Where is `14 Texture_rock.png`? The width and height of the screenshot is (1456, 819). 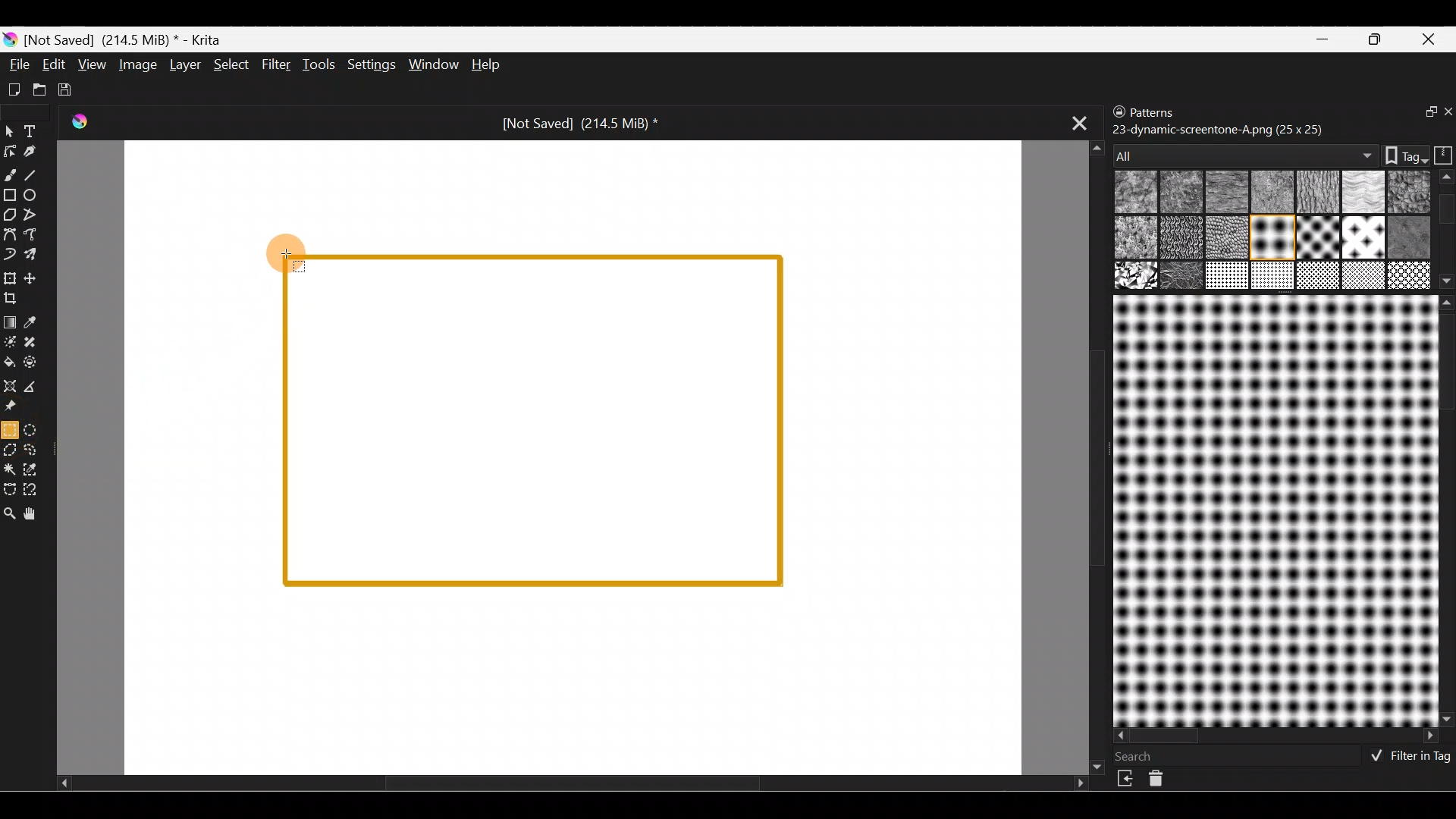 14 Texture_rock.png is located at coordinates (1137, 277).